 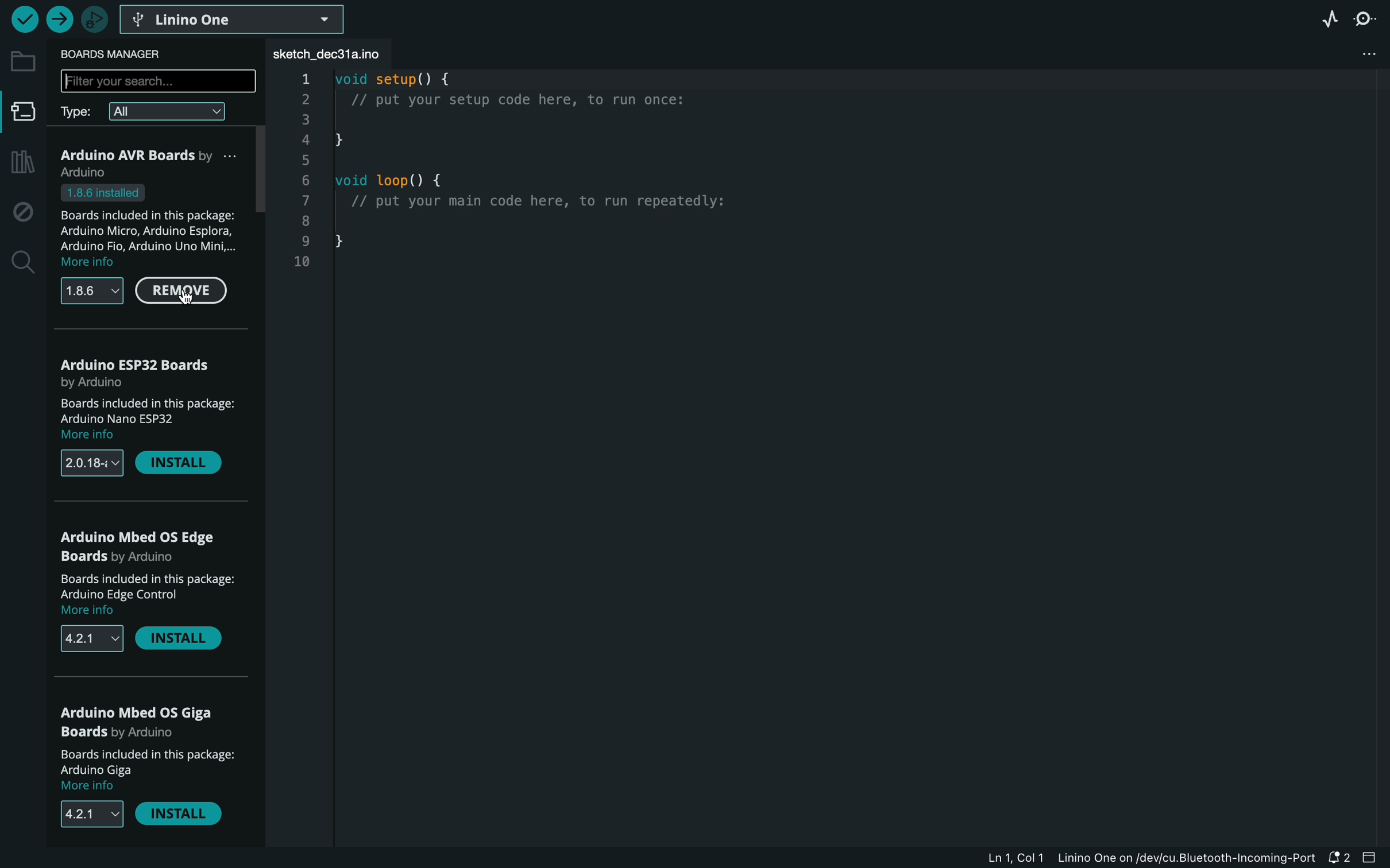 I want to click on versions, so click(x=90, y=814).